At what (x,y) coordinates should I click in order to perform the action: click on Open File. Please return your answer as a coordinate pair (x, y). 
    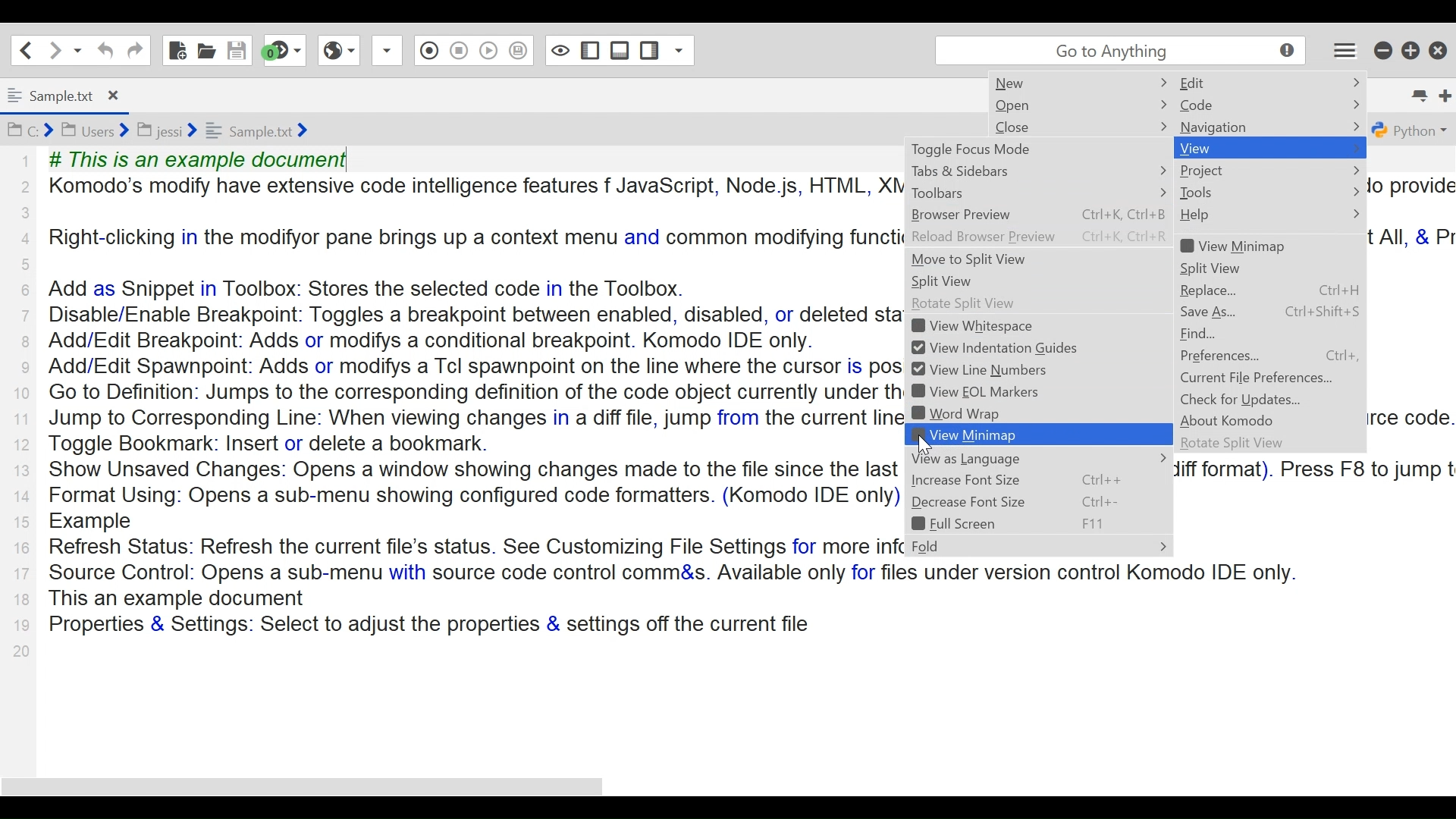
    Looking at the image, I should click on (206, 49).